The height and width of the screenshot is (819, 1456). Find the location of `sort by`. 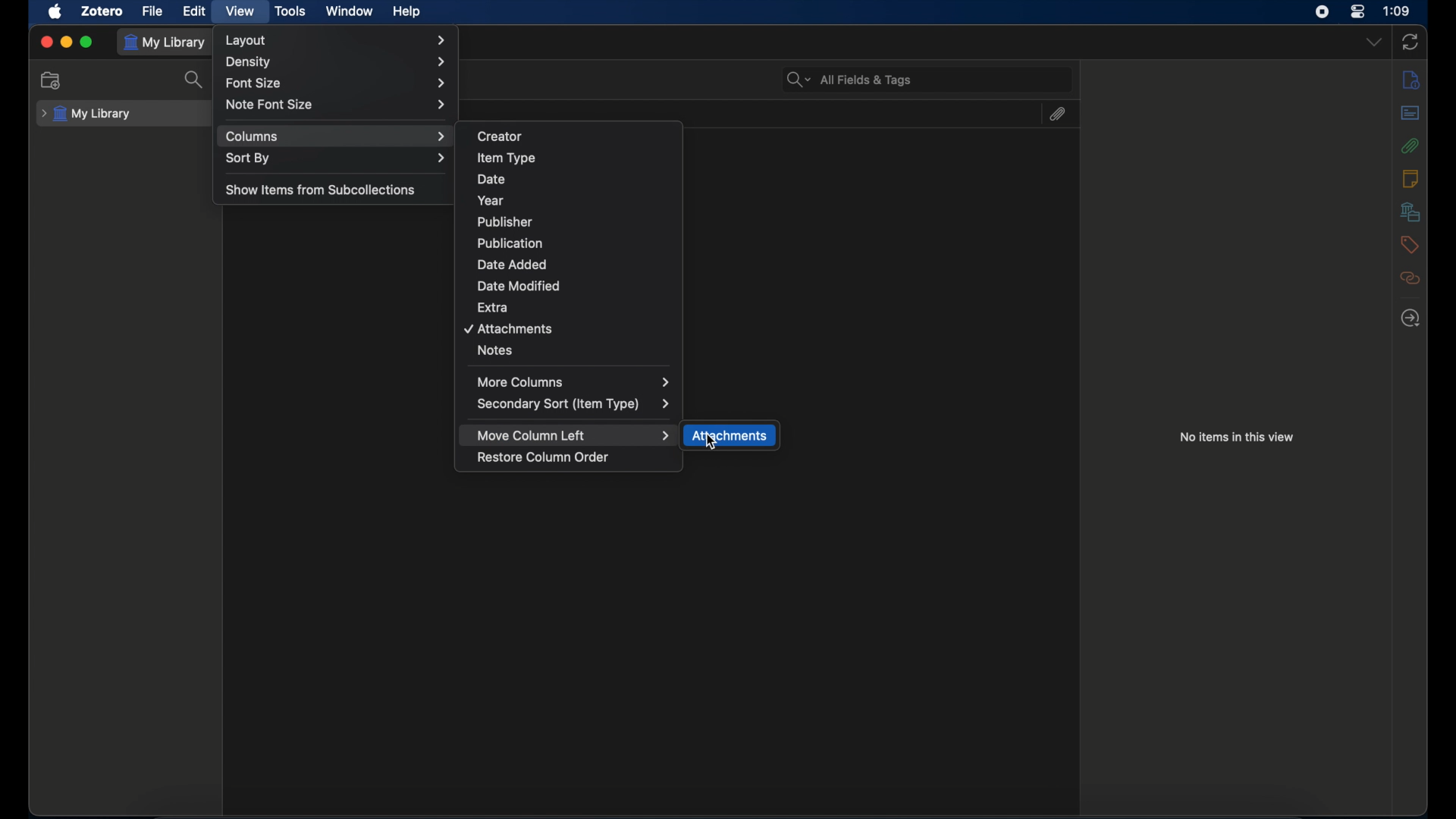

sort by is located at coordinates (335, 158).